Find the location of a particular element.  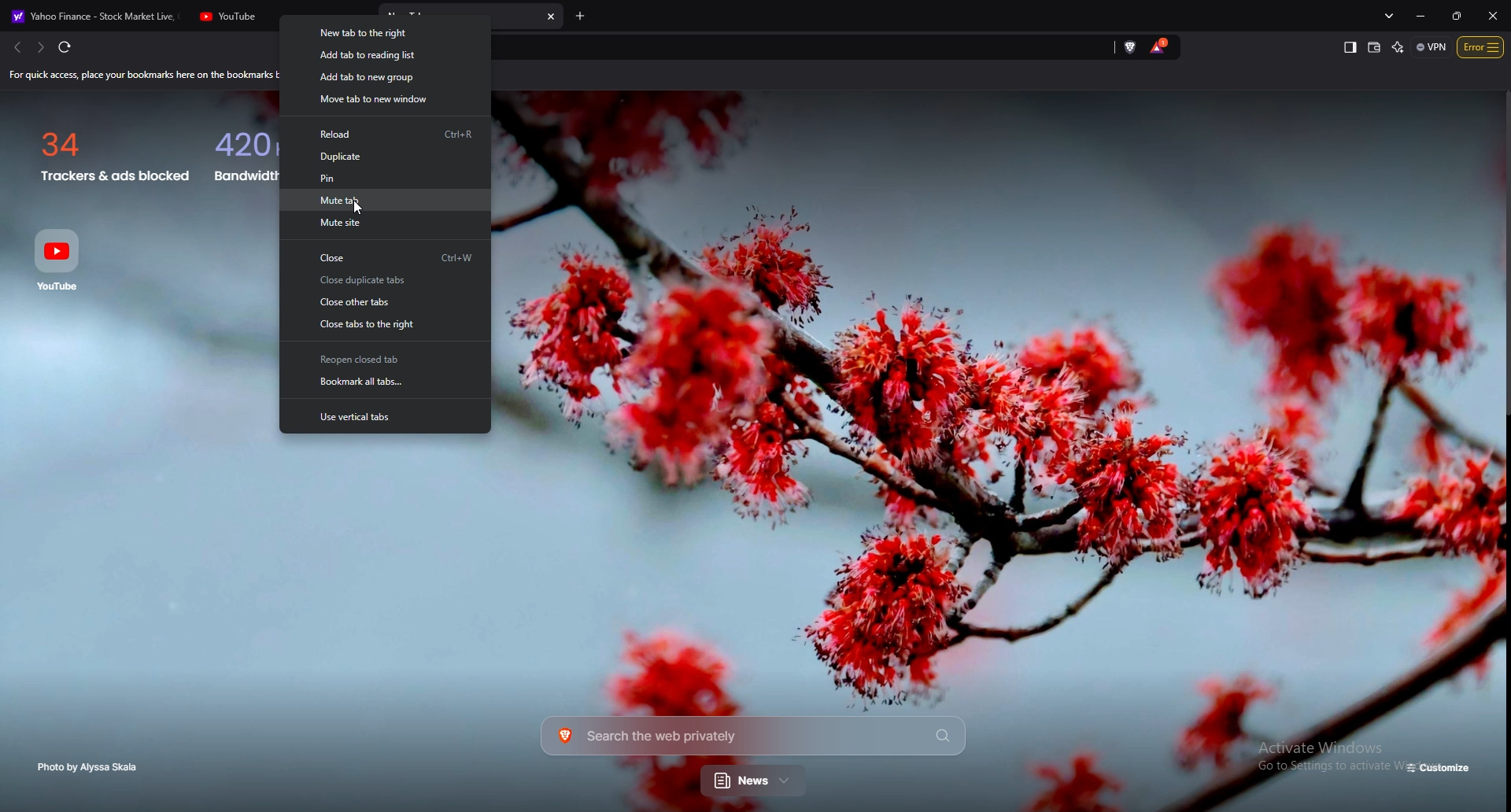

back is located at coordinates (15, 47).